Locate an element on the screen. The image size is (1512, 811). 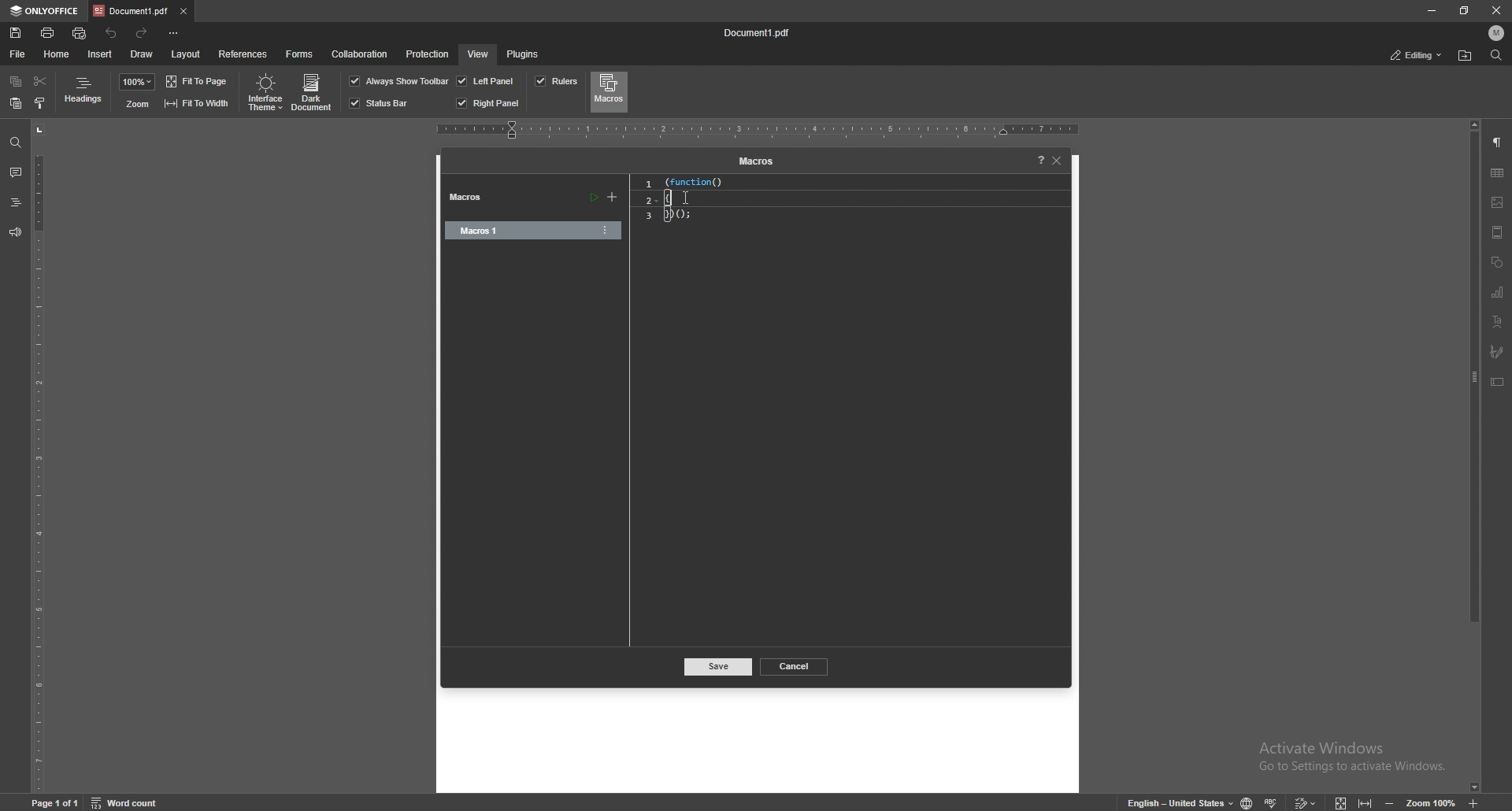
(function) is located at coordinates (688, 182).